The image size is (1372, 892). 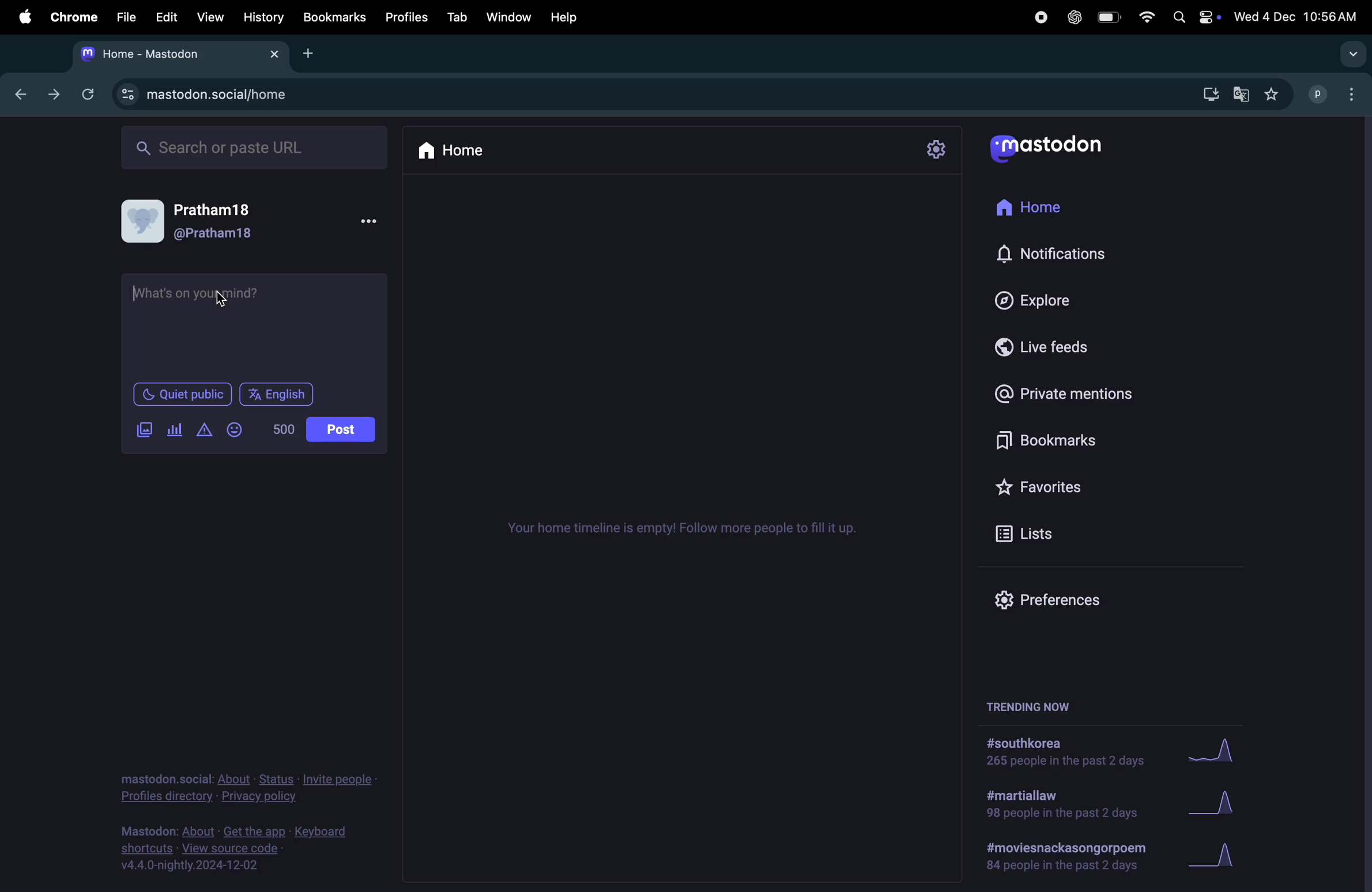 What do you see at coordinates (370, 220) in the screenshot?
I see `options` at bounding box center [370, 220].